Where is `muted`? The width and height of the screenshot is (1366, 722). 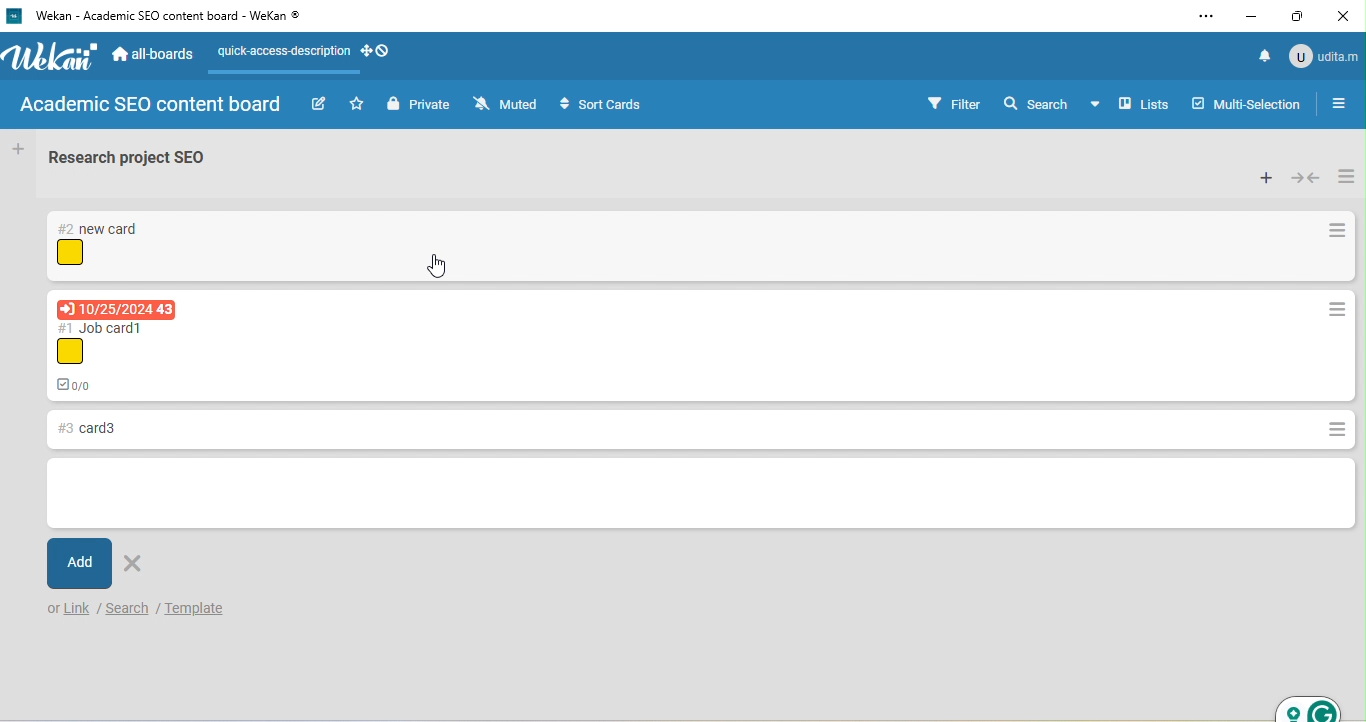
muted is located at coordinates (508, 105).